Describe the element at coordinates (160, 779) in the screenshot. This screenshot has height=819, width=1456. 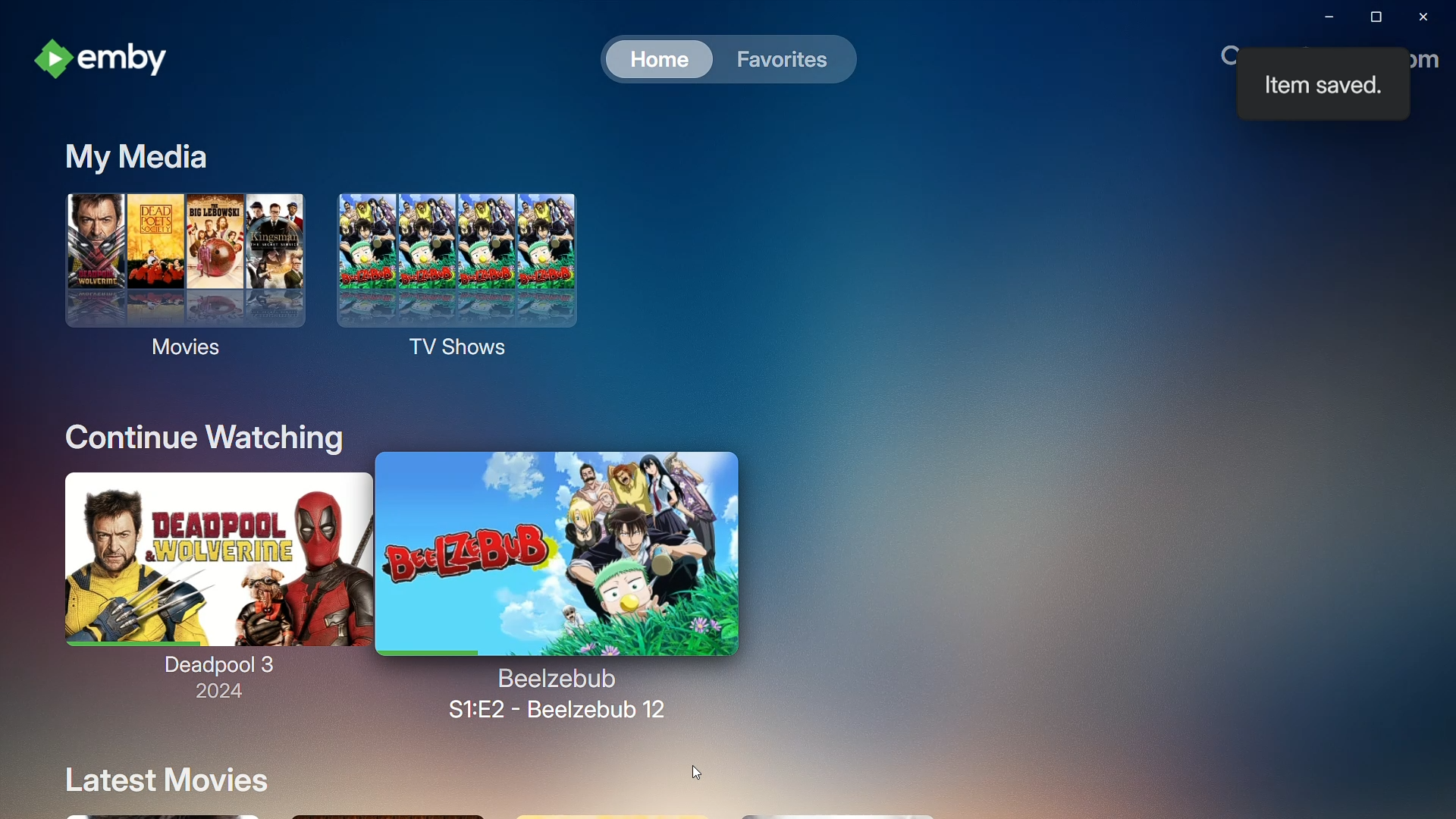
I see `Latest Movies` at that location.